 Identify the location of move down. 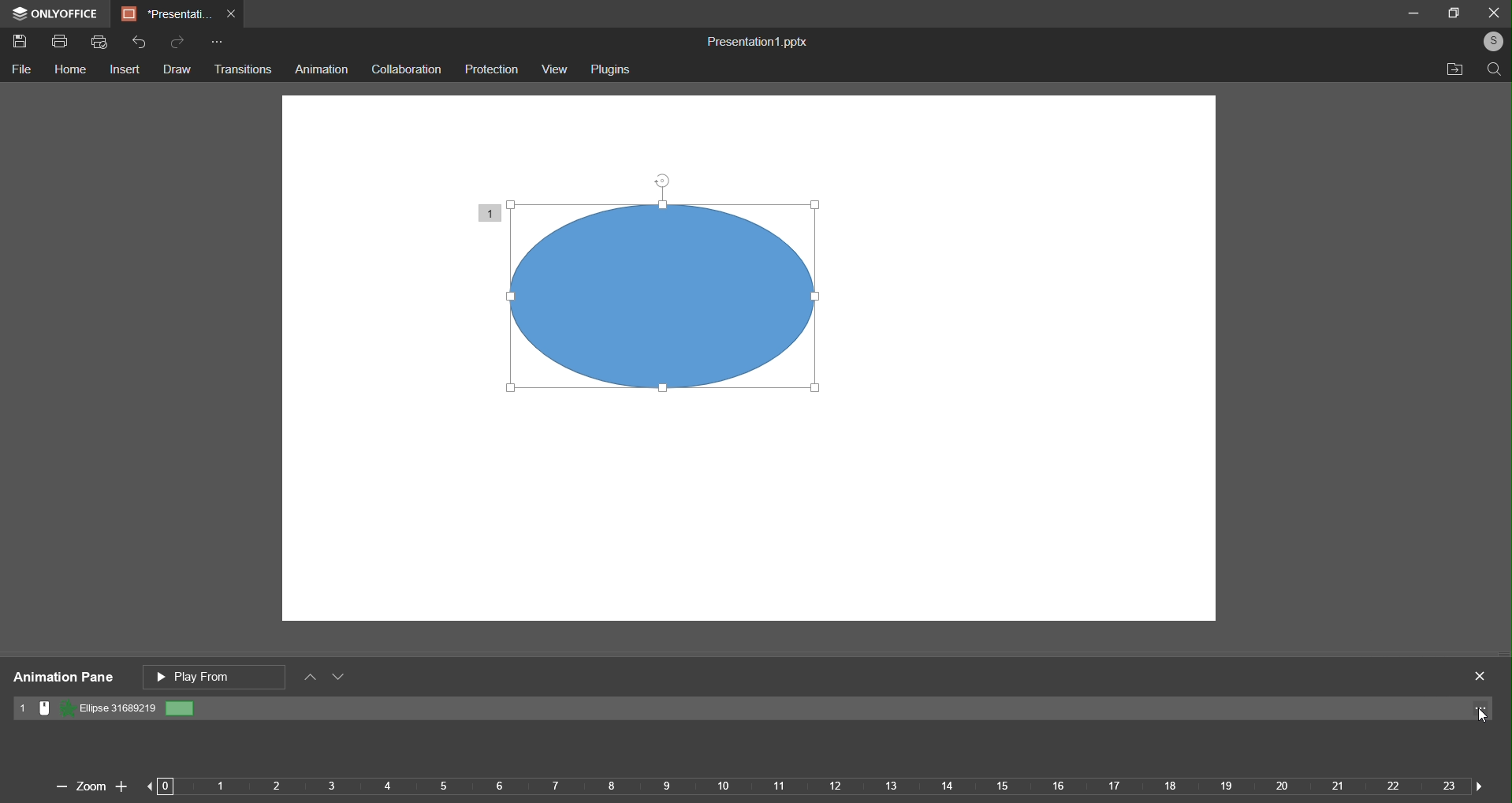
(341, 679).